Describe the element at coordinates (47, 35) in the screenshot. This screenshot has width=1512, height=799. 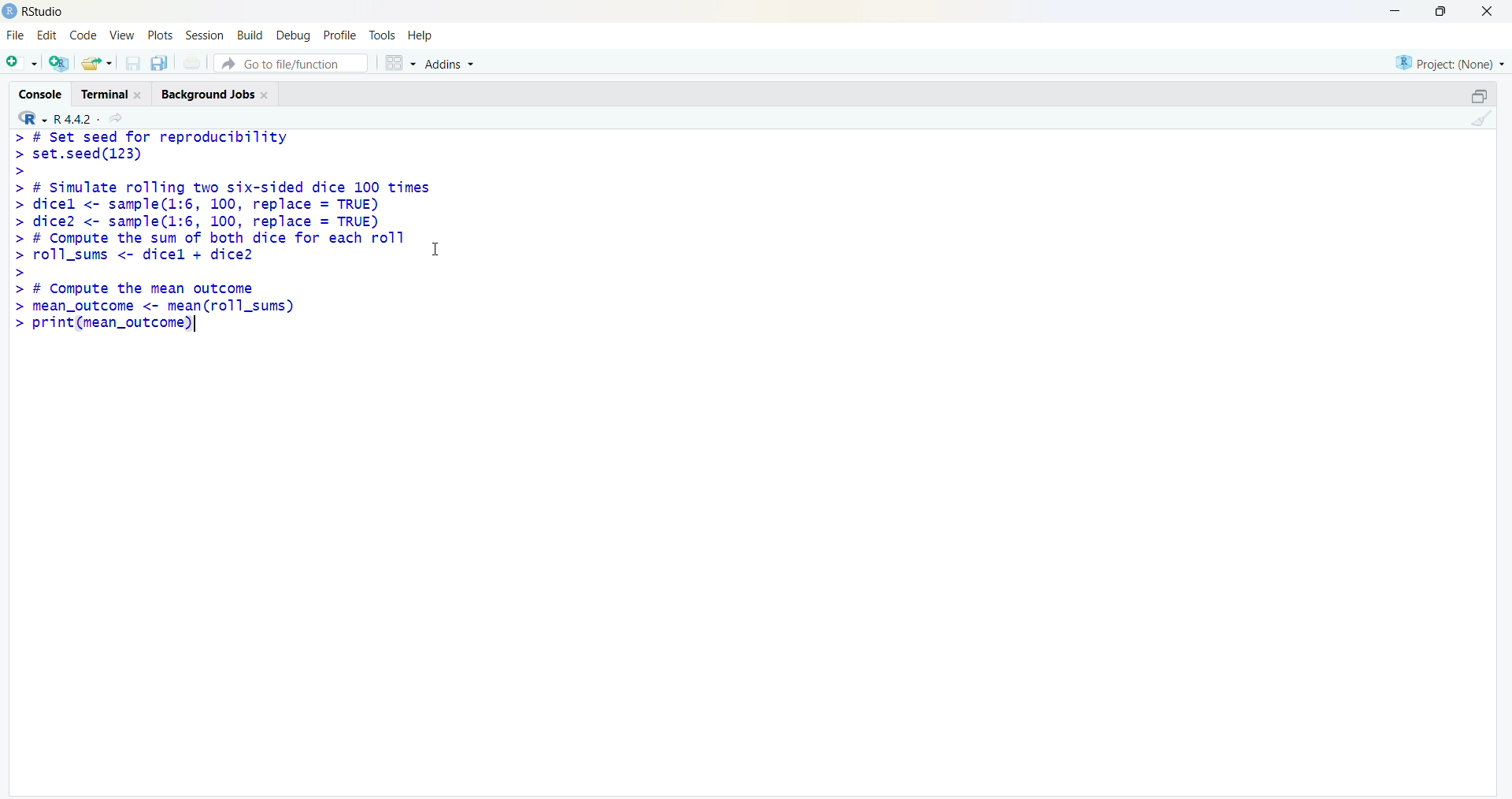
I see `edit` at that location.